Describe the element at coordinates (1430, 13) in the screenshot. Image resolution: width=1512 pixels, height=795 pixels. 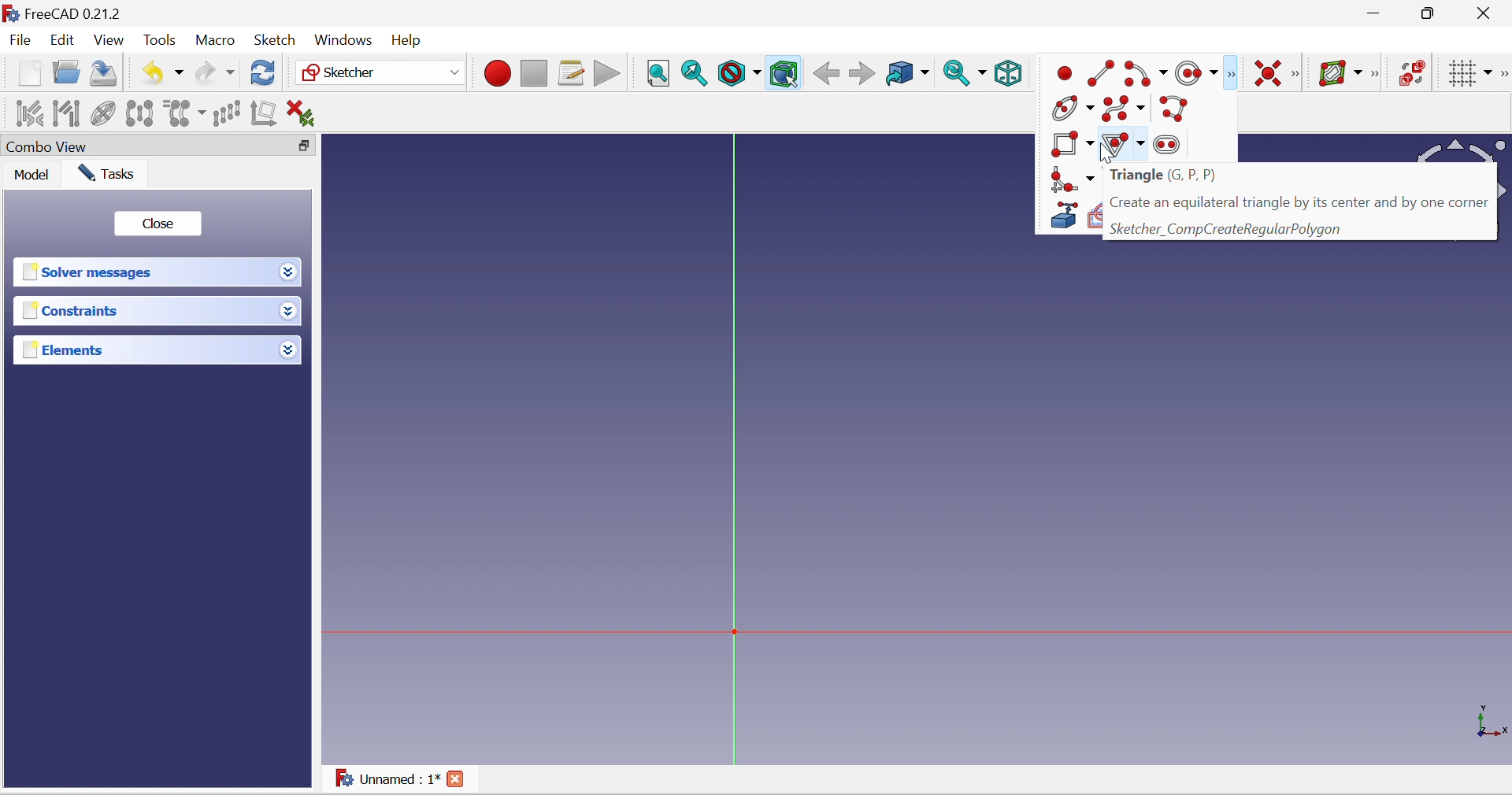
I see `maximize` at that location.